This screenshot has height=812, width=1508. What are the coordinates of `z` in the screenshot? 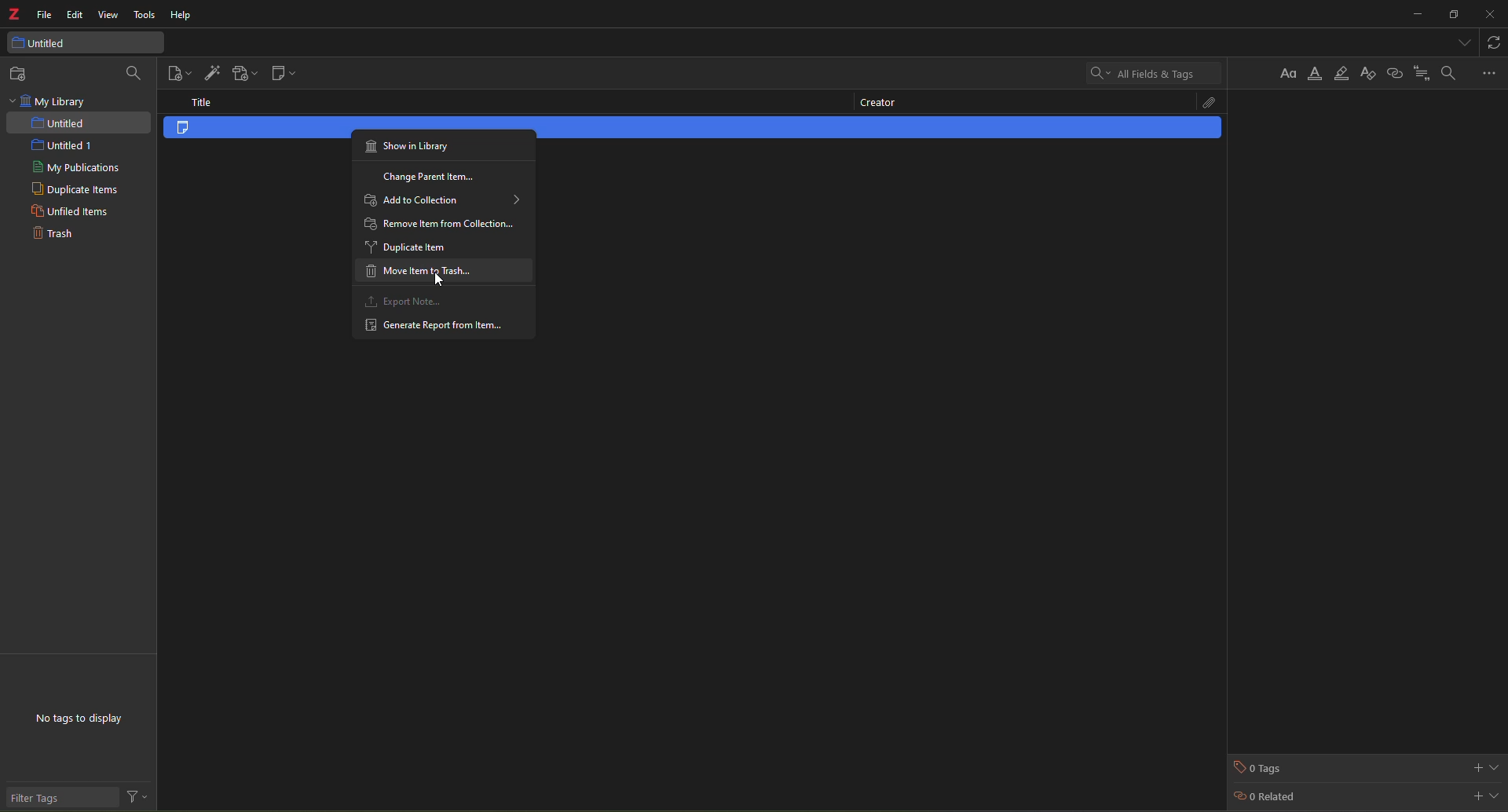 It's located at (16, 16).